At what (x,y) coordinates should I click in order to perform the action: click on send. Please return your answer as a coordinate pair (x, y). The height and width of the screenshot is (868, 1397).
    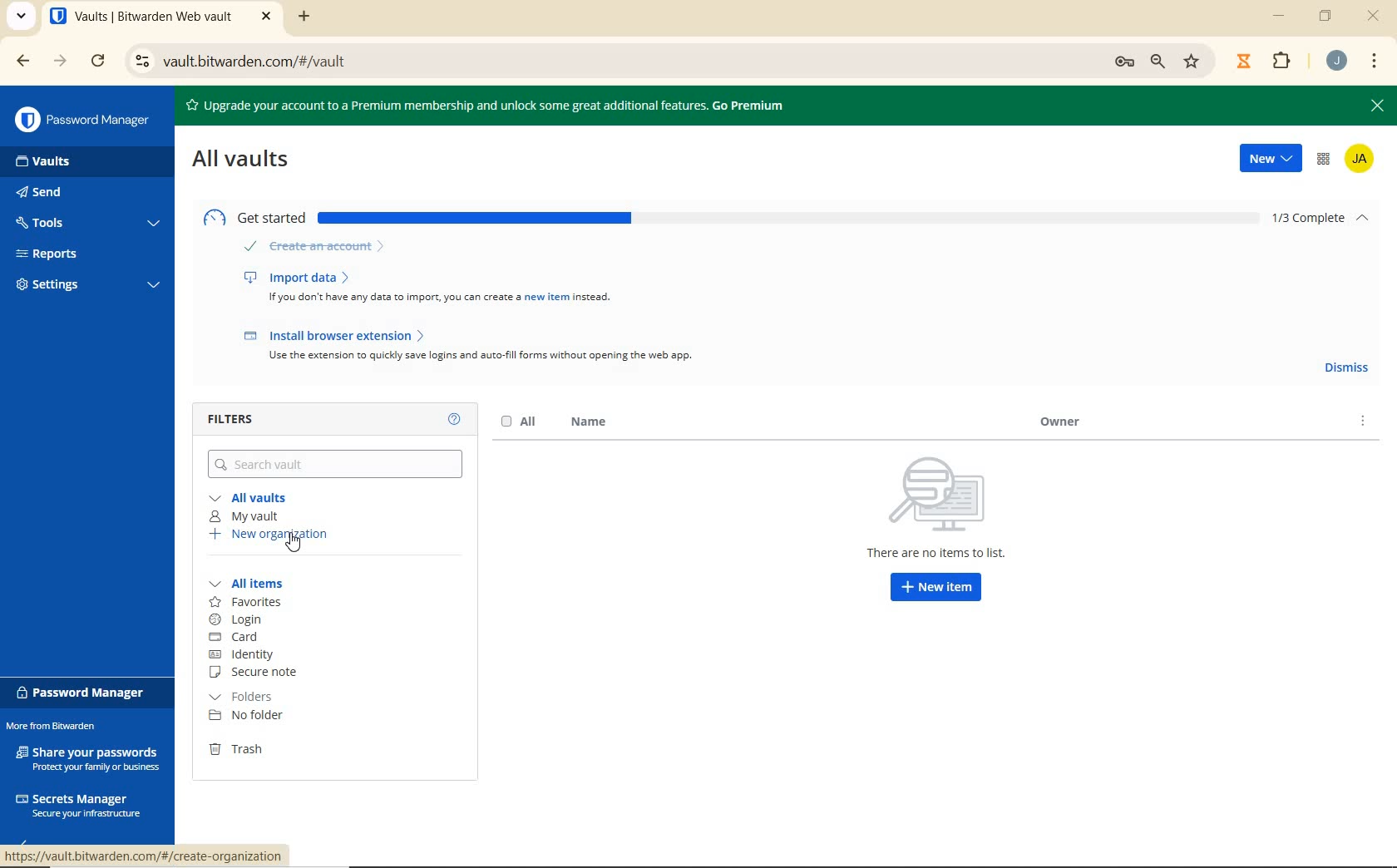
    Looking at the image, I should click on (67, 194).